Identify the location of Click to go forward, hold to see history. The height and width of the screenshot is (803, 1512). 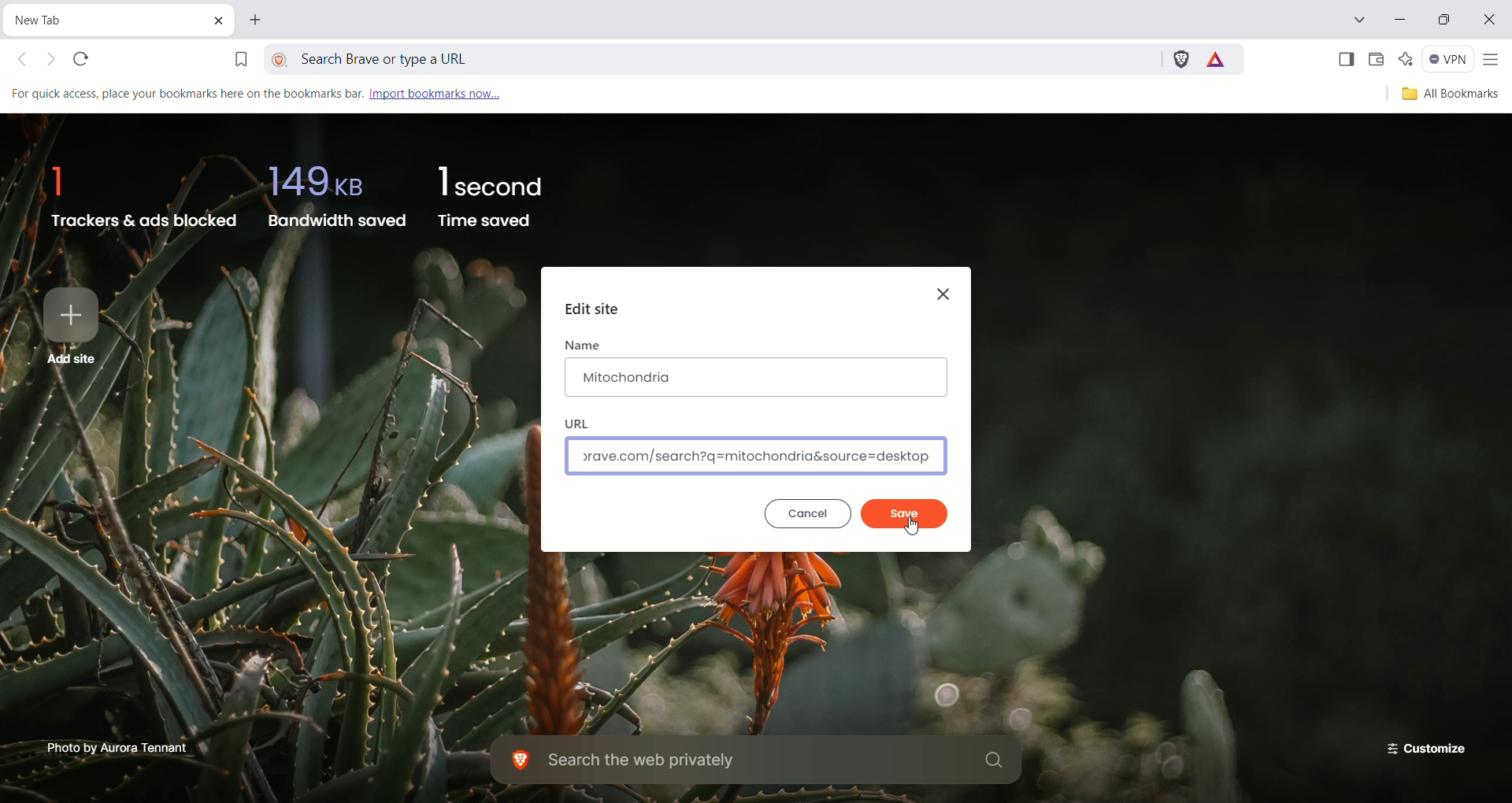
(54, 62).